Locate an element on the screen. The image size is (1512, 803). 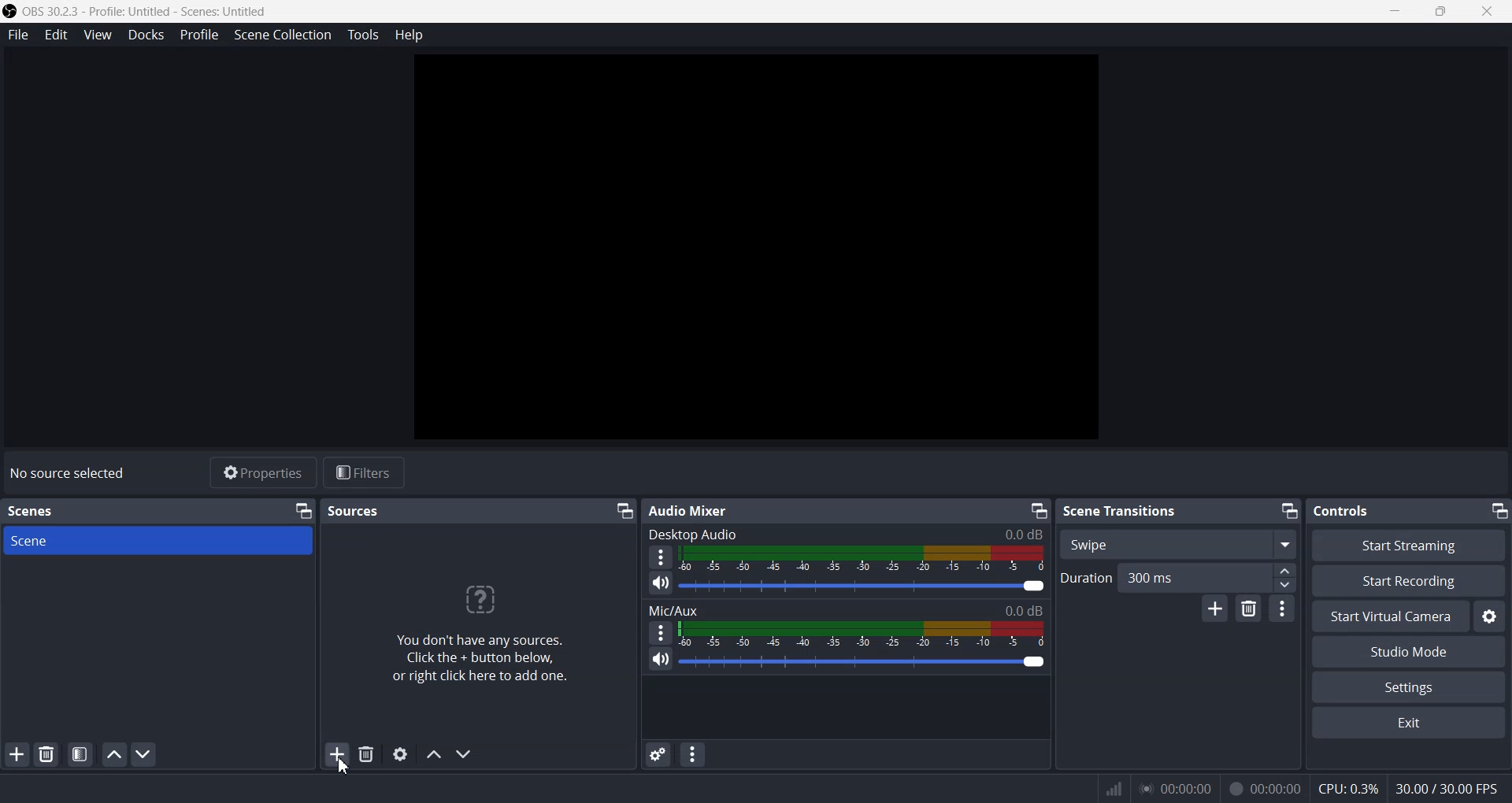
Scene Transitions is located at coordinates (1121, 510).